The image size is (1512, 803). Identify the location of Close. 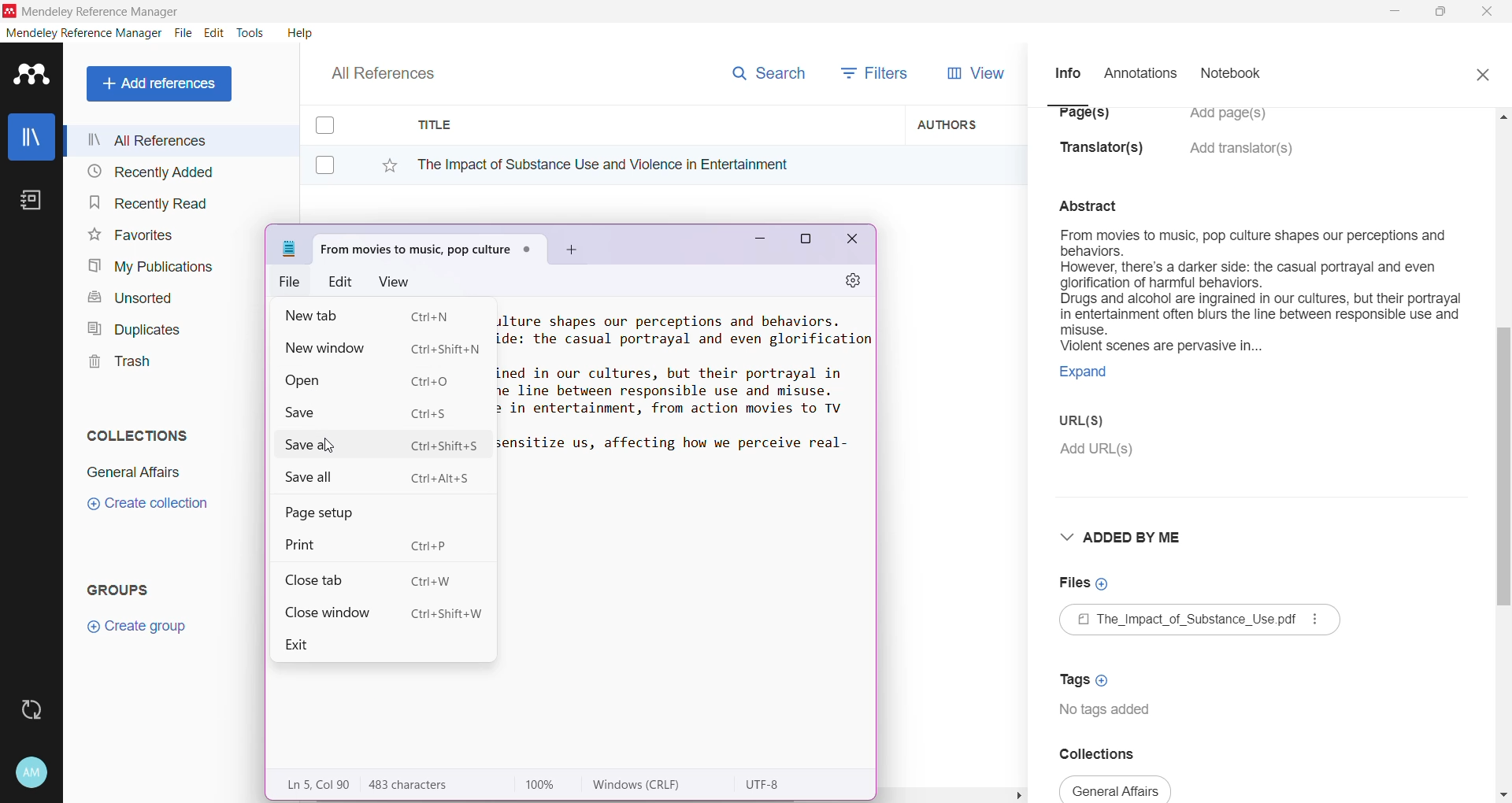
(1482, 72).